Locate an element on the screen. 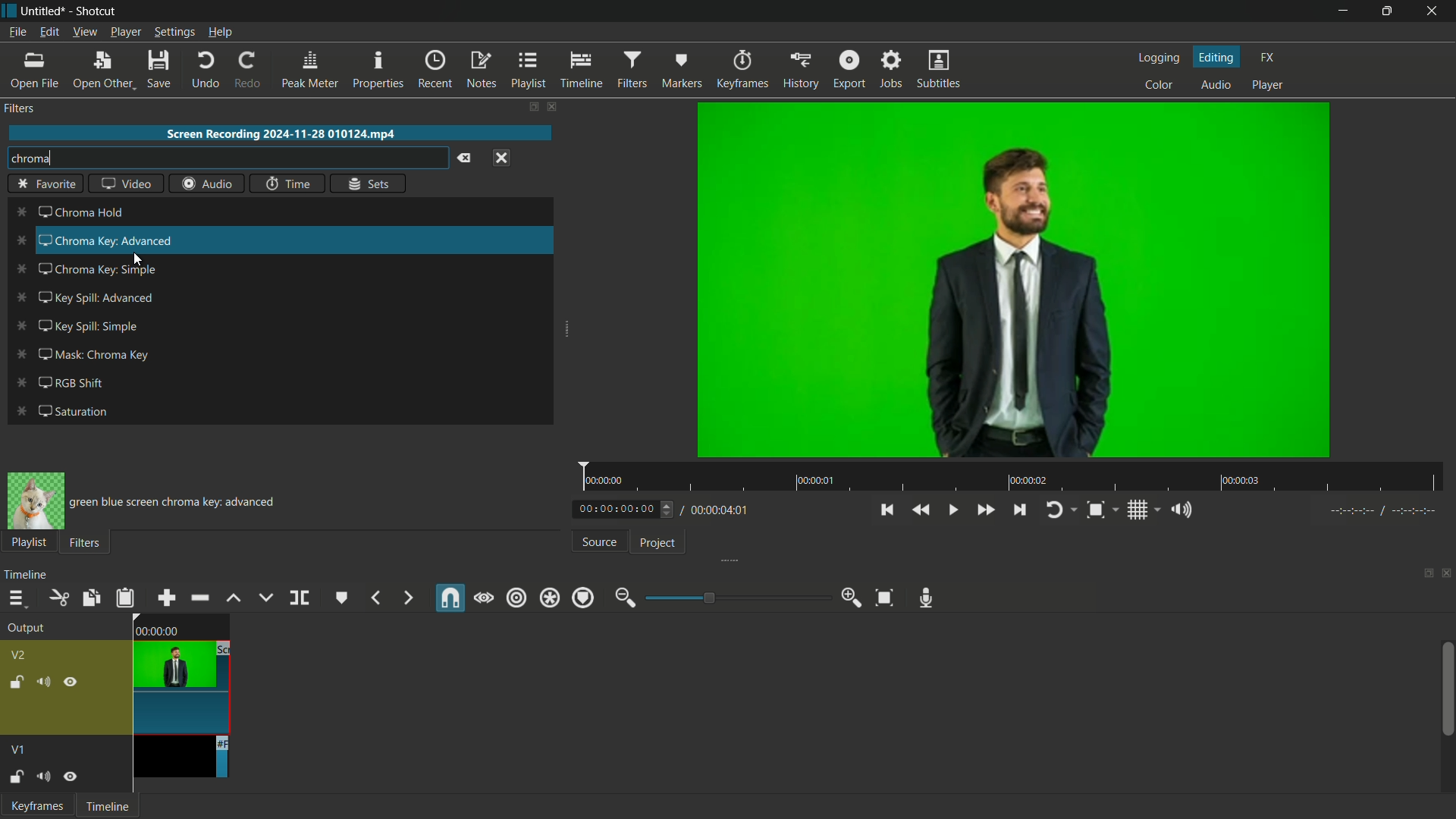 This screenshot has width=1456, height=819. open other is located at coordinates (102, 70).